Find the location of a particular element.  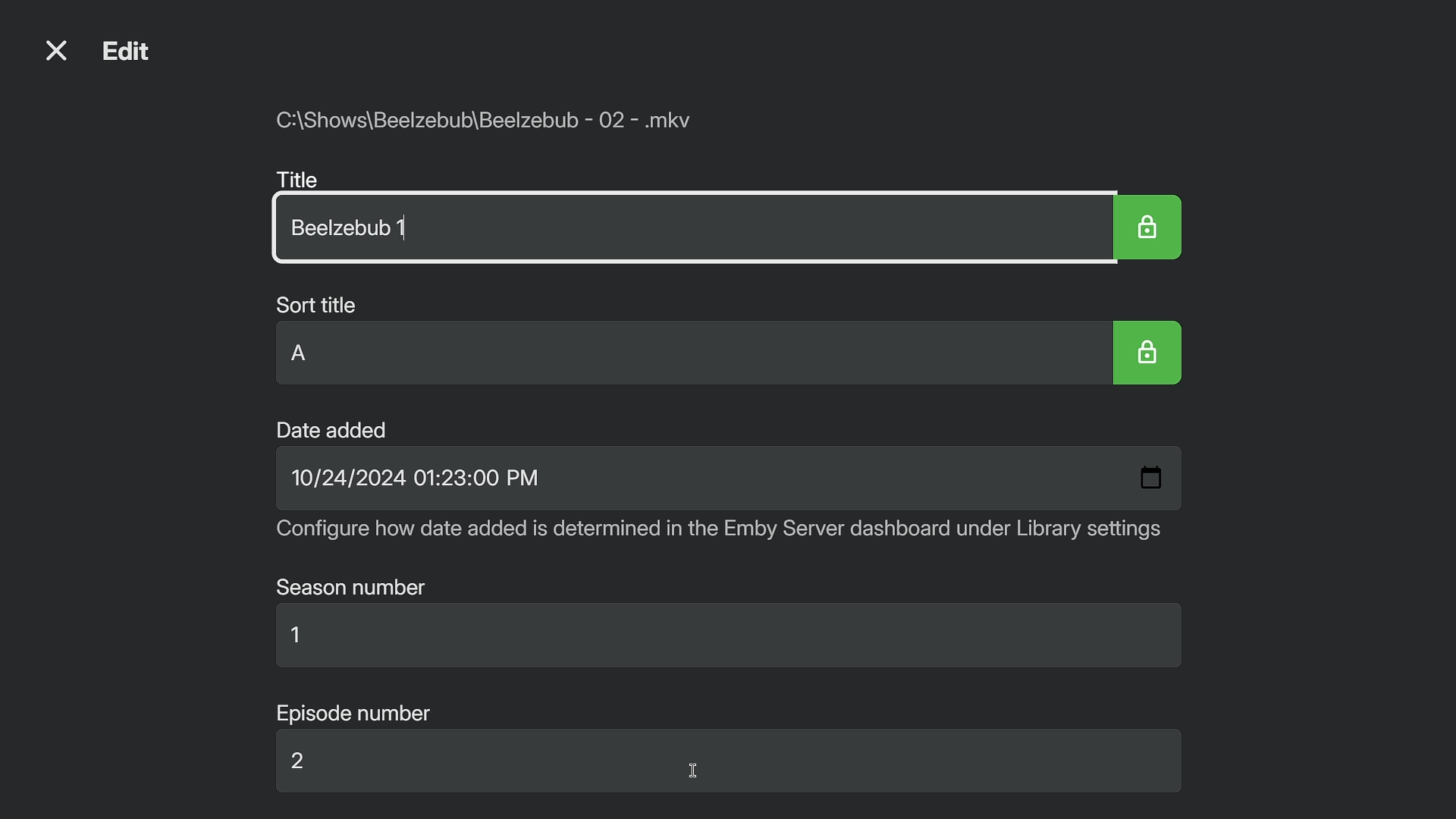

Episode number  is located at coordinates (356, 710).